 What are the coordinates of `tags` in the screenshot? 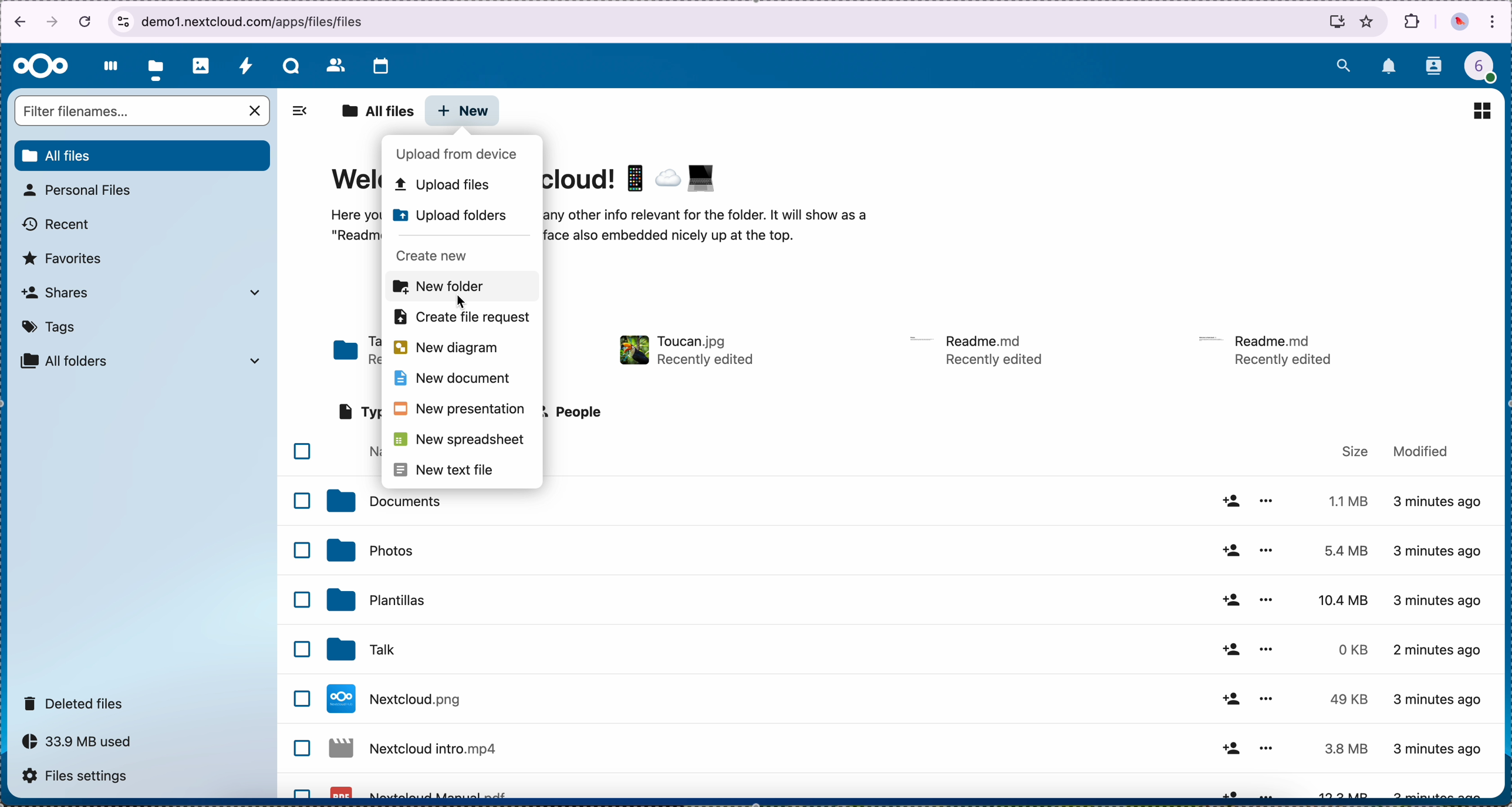 It's located at (50, 327).